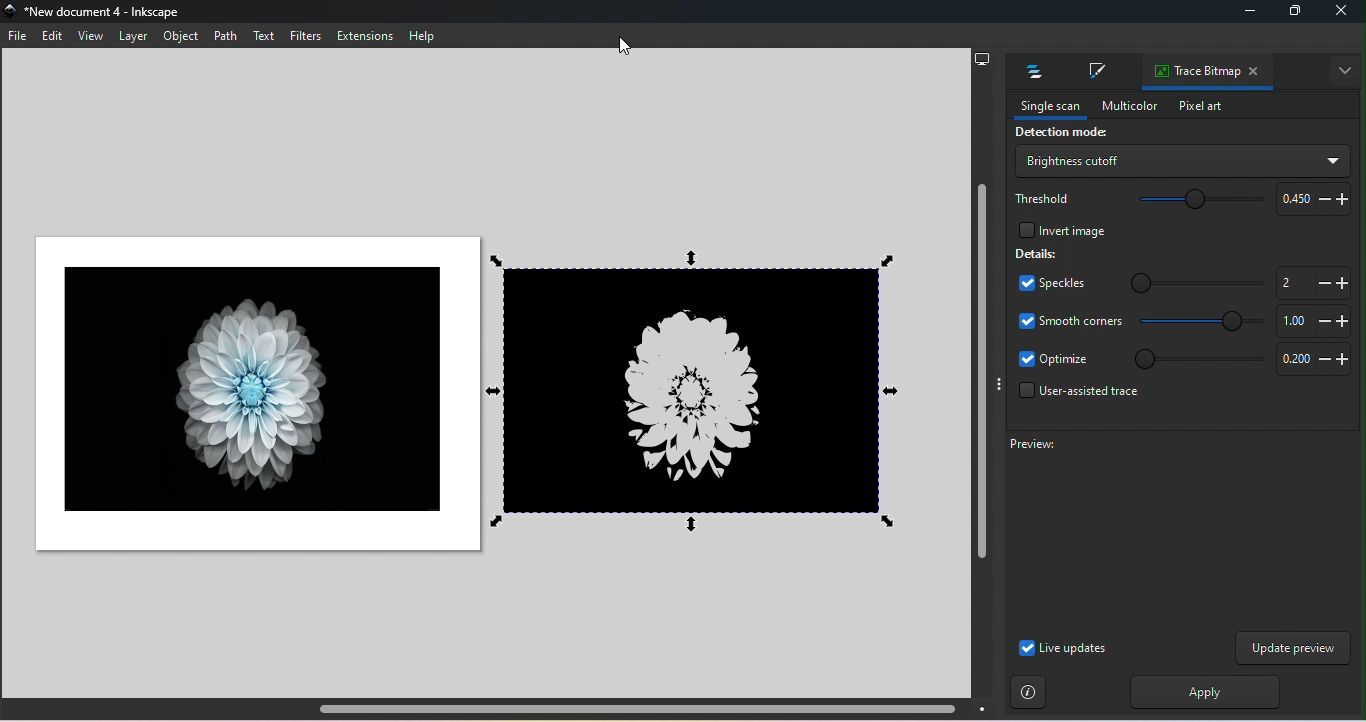 The width and height of the screenshot is (1366, 722). I want to click on Cursor, so click(627, 43).